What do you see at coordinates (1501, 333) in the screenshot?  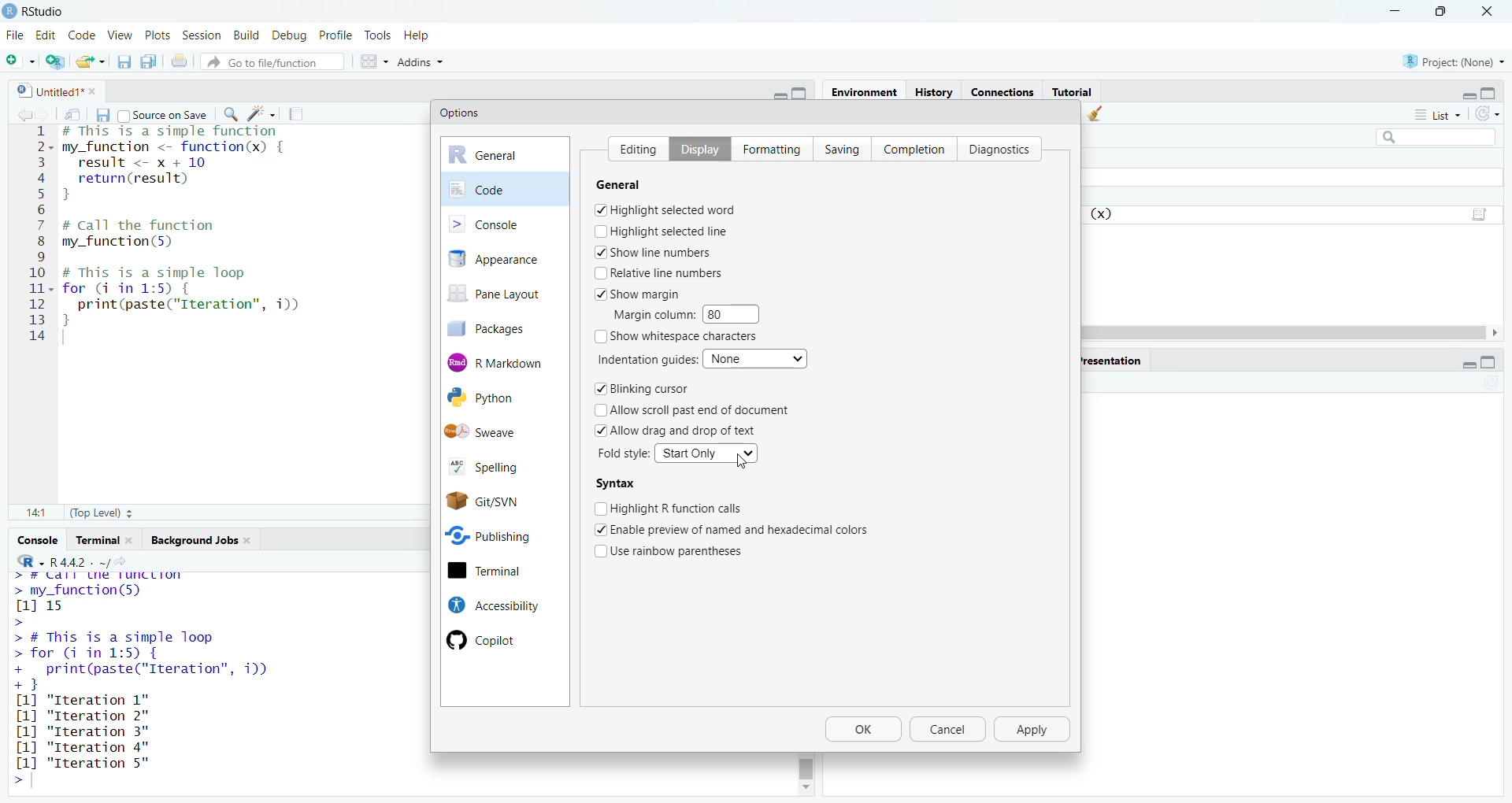 I see `move right` at bounding box center [1501, 333].